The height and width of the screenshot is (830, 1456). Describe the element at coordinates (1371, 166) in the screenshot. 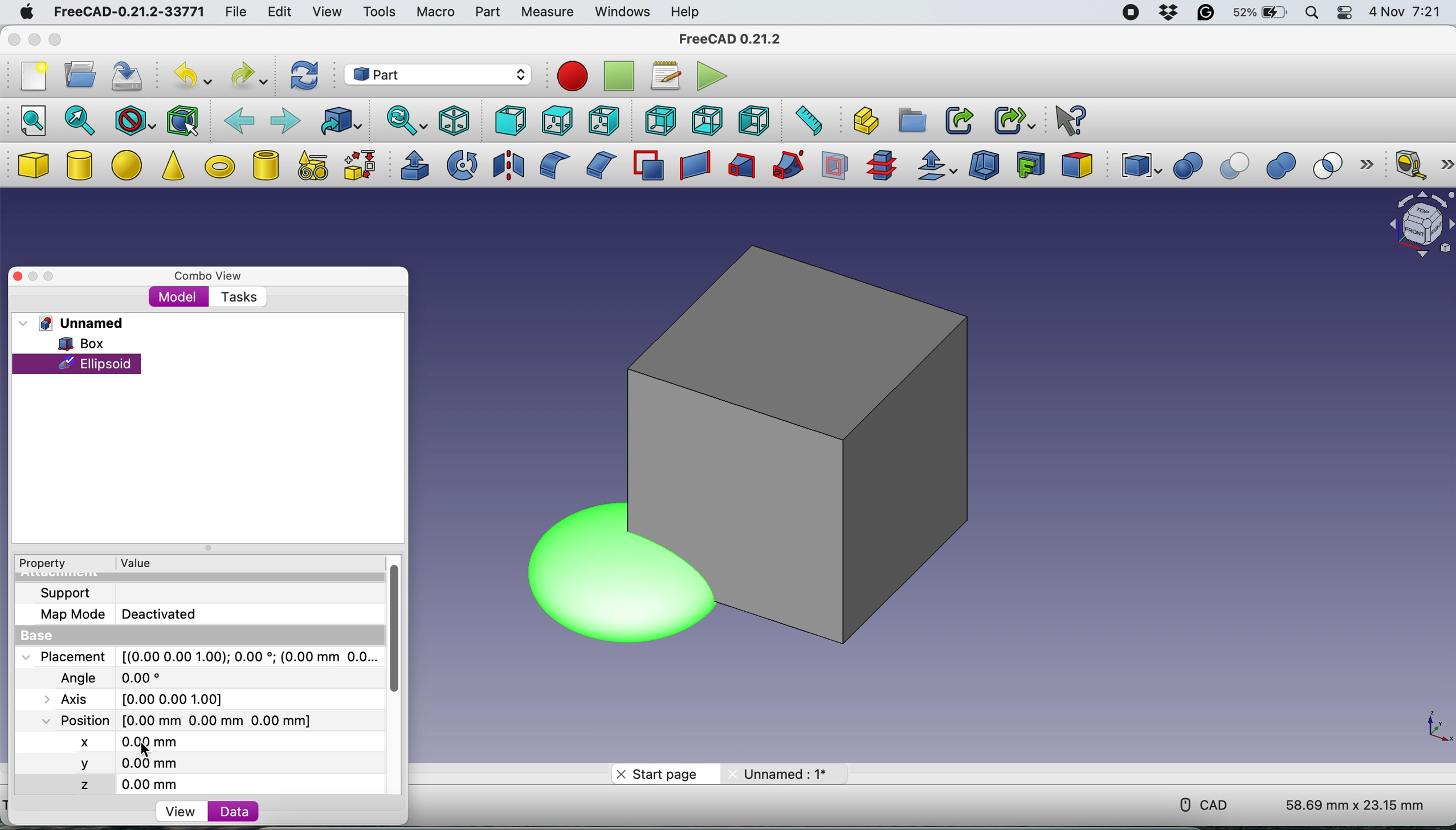

I see `more options` at that location.